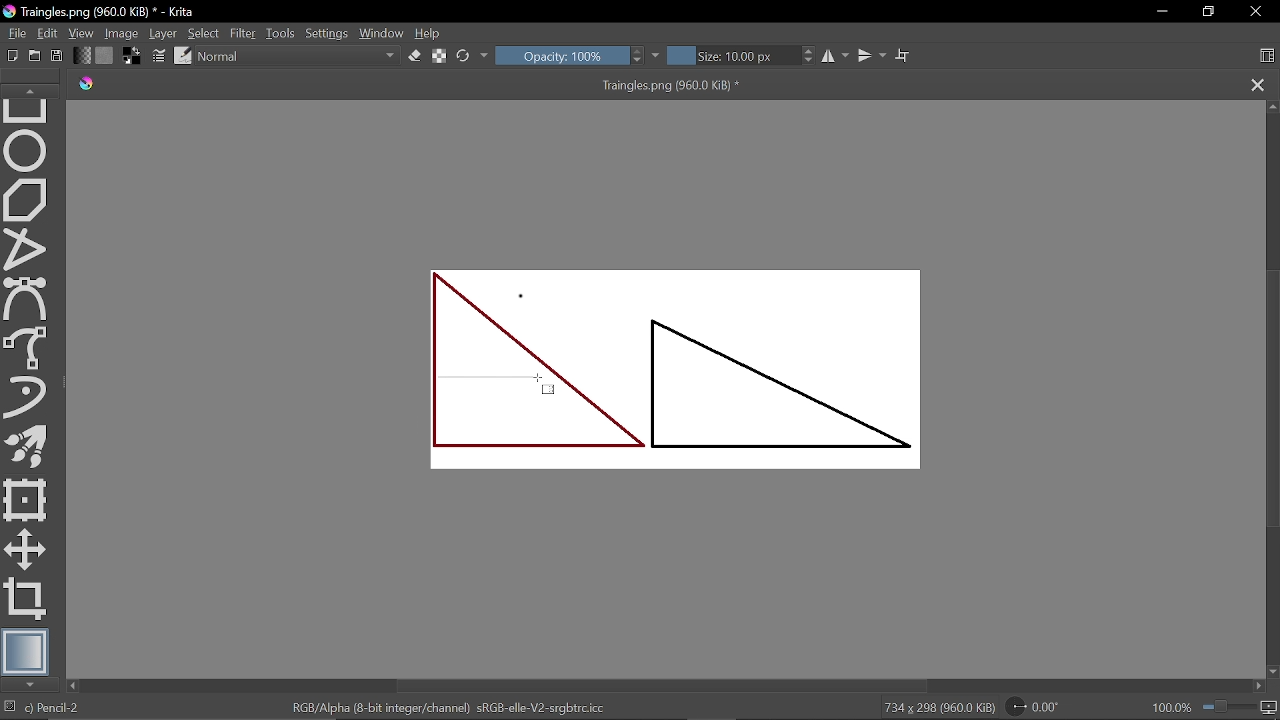 Image resolution: width=1280 pixels, height=720 pixels. What do you see at coordinates (452, 707) in the screenshot?
I see `RGB/Alpha (8-bit integer/channel) sRGE-elle-V2-srgbtrc.icc` at bounding box center [452, 707].